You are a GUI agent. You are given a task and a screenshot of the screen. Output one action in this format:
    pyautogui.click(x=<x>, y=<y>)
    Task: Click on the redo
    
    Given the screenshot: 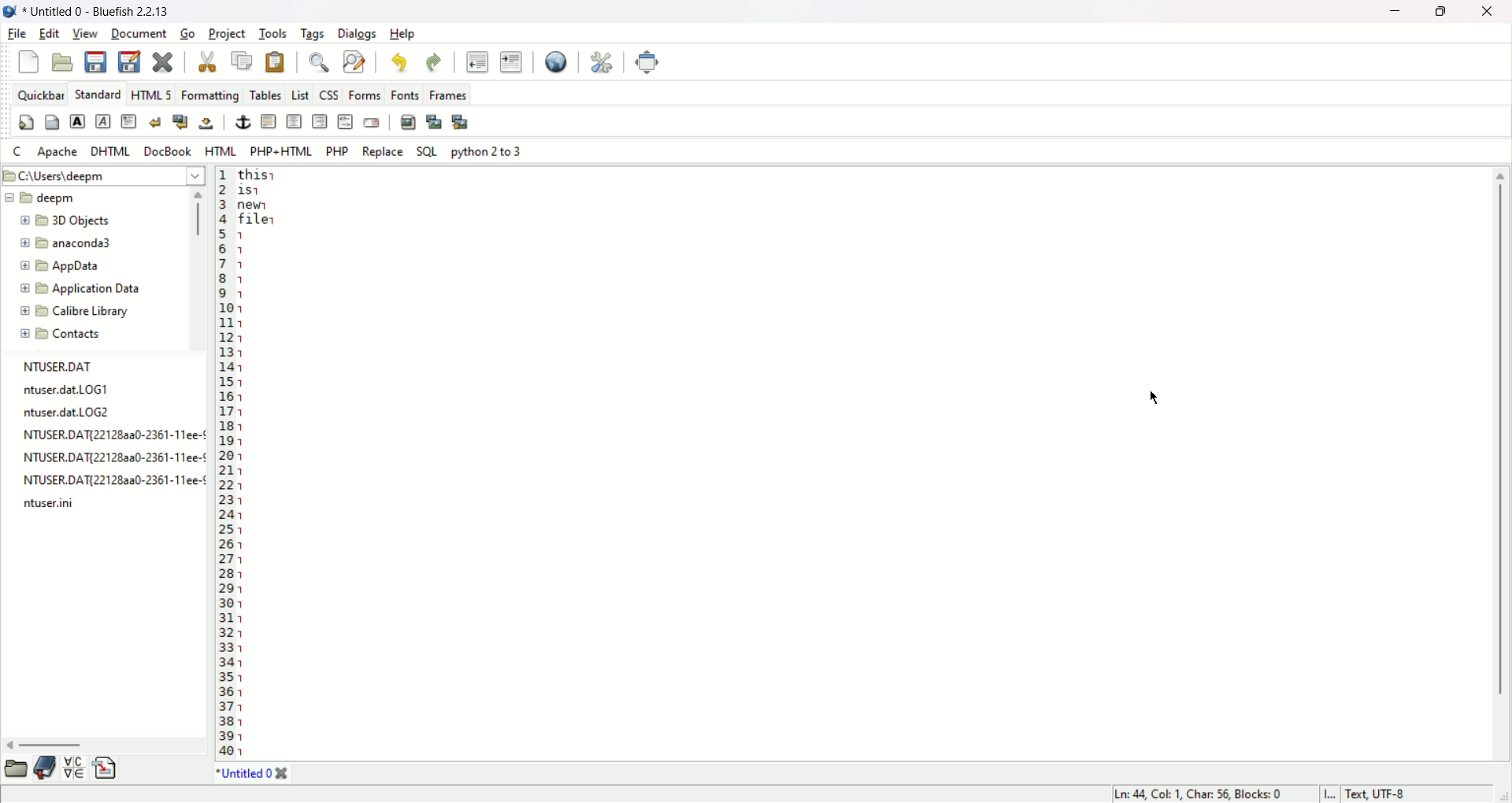 What is the action you would take?
    pyautogui.click(x=435, y=65)
    